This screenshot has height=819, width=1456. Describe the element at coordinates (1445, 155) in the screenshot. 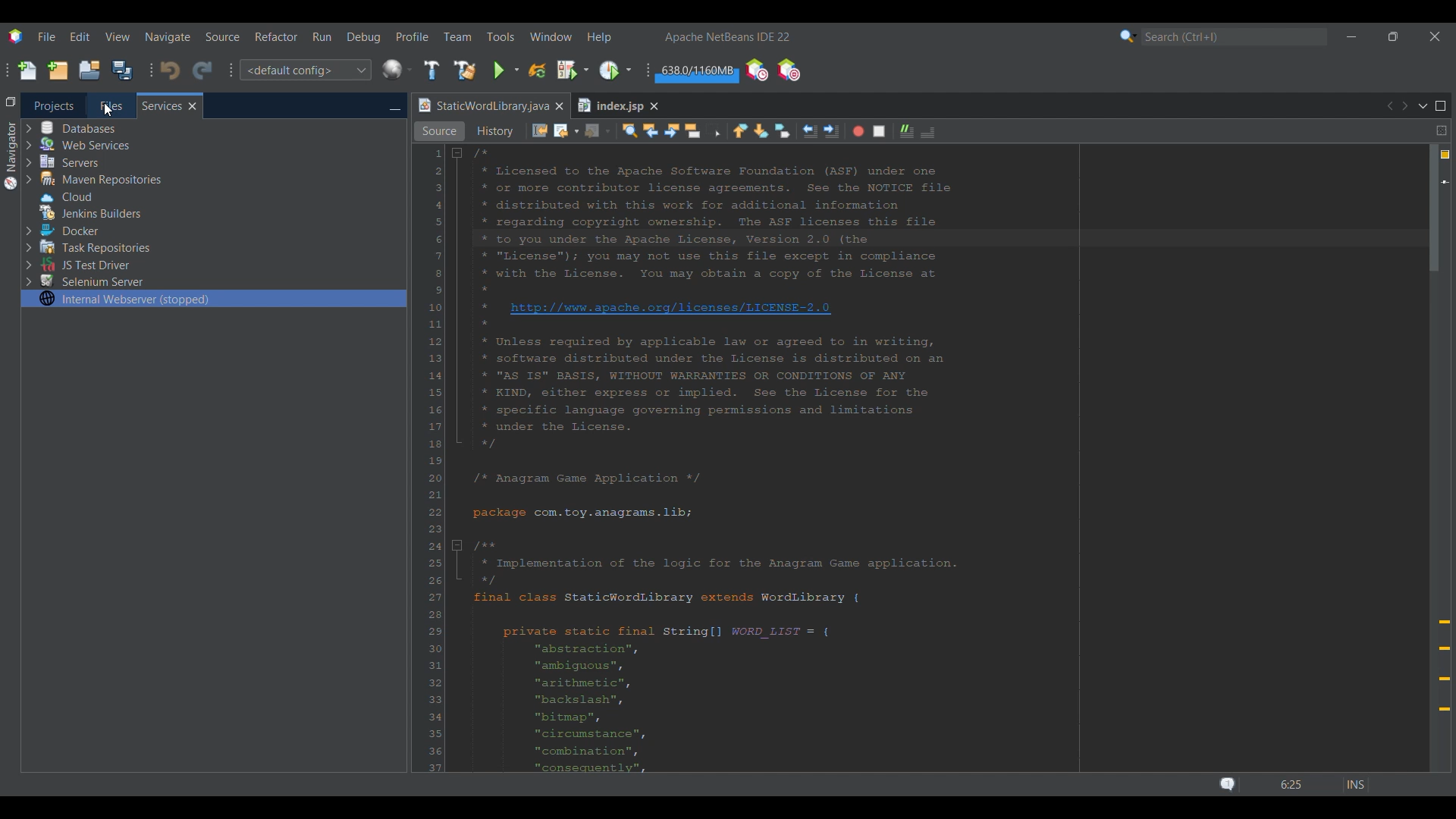

I see `No errors` at that location.